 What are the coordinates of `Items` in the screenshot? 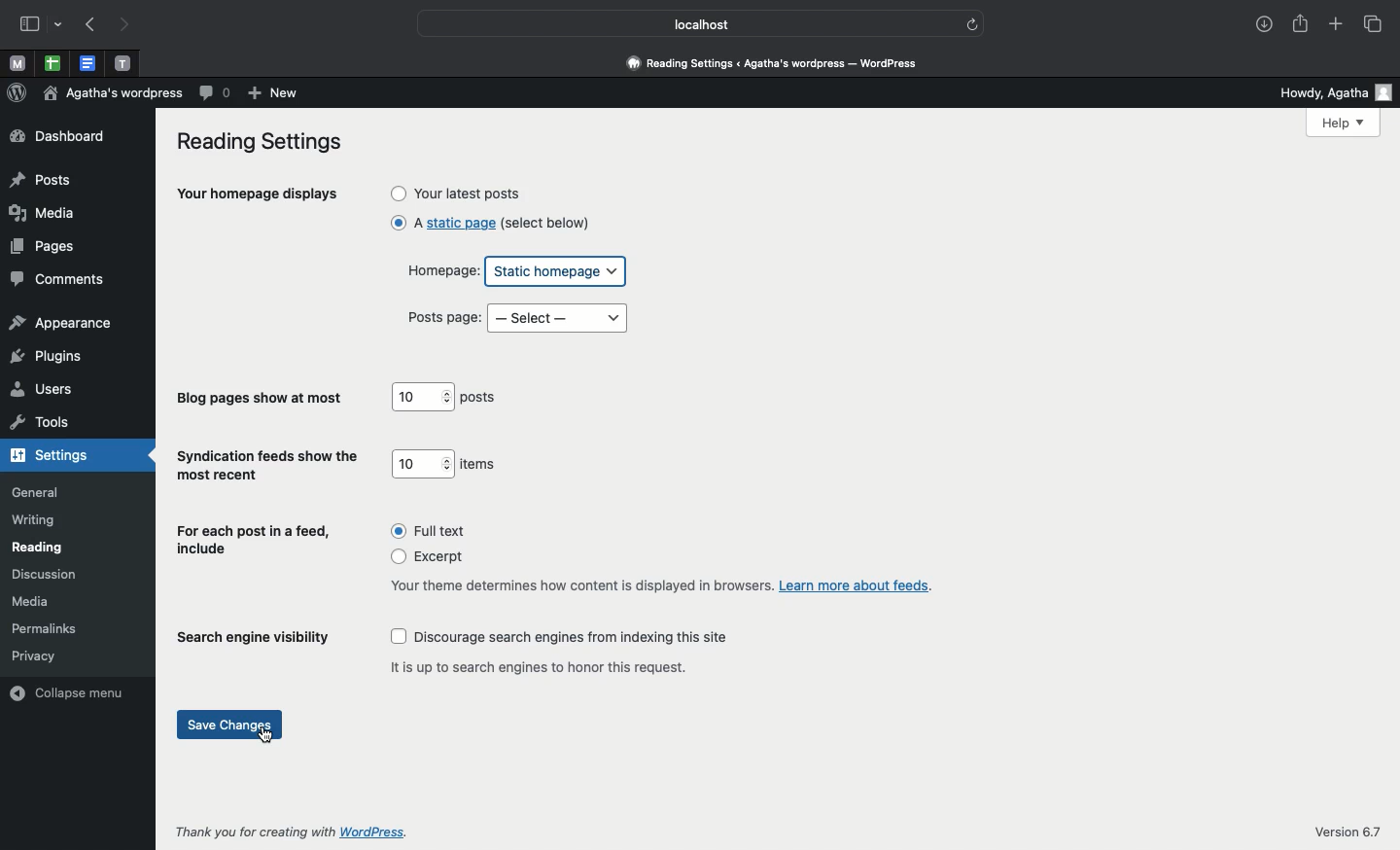 It's located at (480, 465).